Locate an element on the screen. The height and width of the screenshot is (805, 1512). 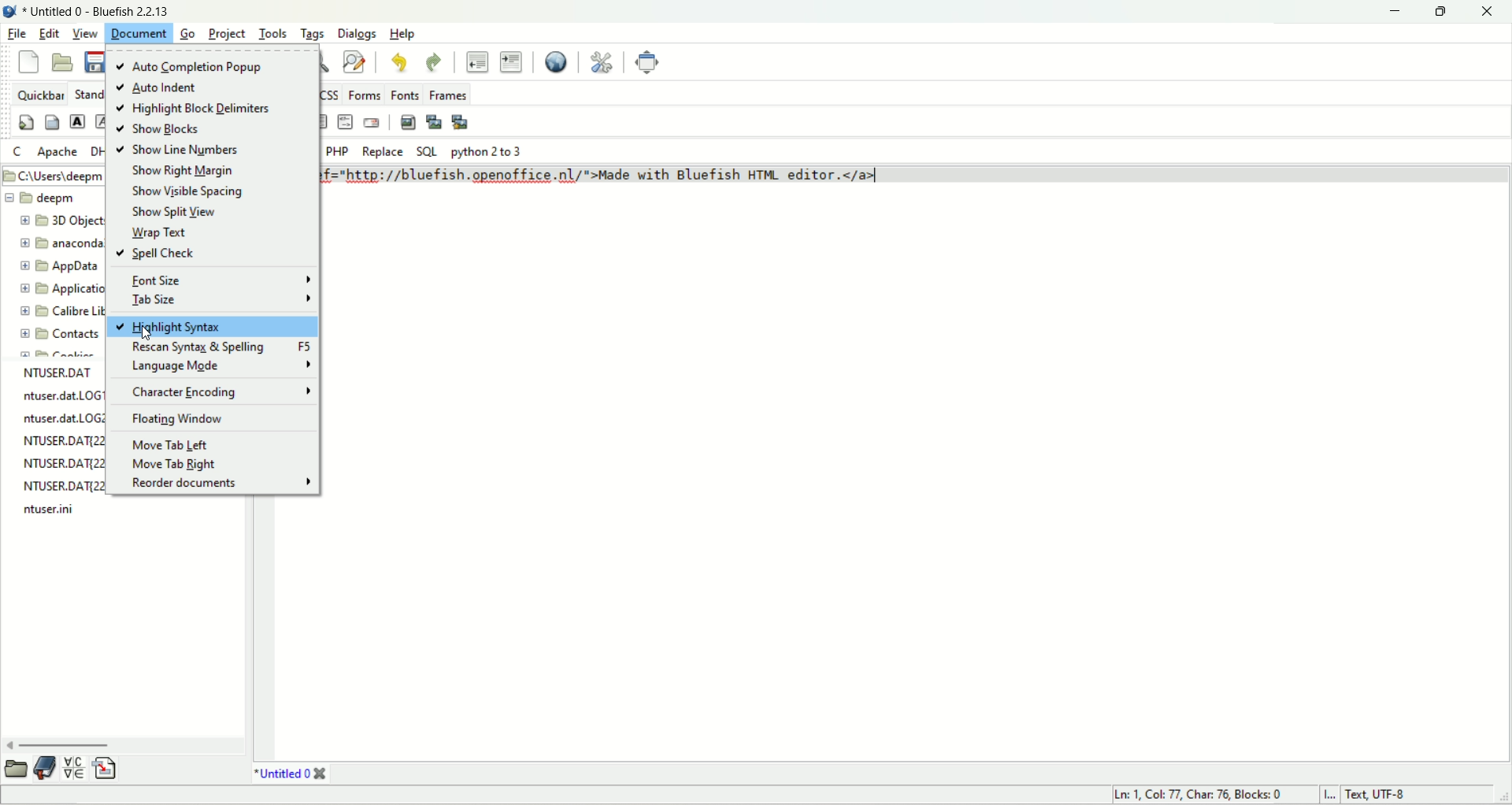
python 2 to 3 is located at coordinates (488, 150).